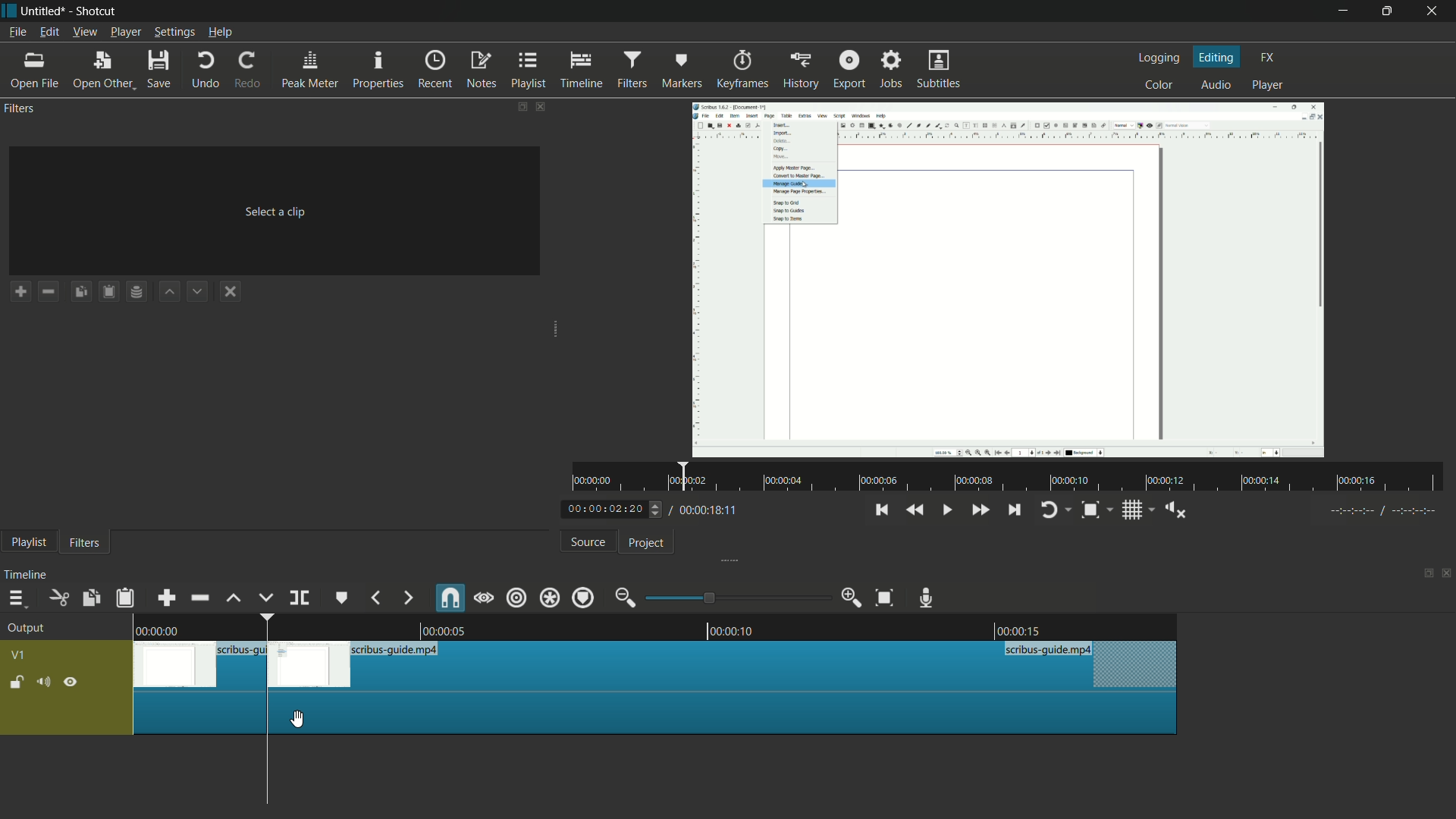 The height and width of the screenshot is (819, 1456). I want to click on toggle player looping, so click(1050, 510).